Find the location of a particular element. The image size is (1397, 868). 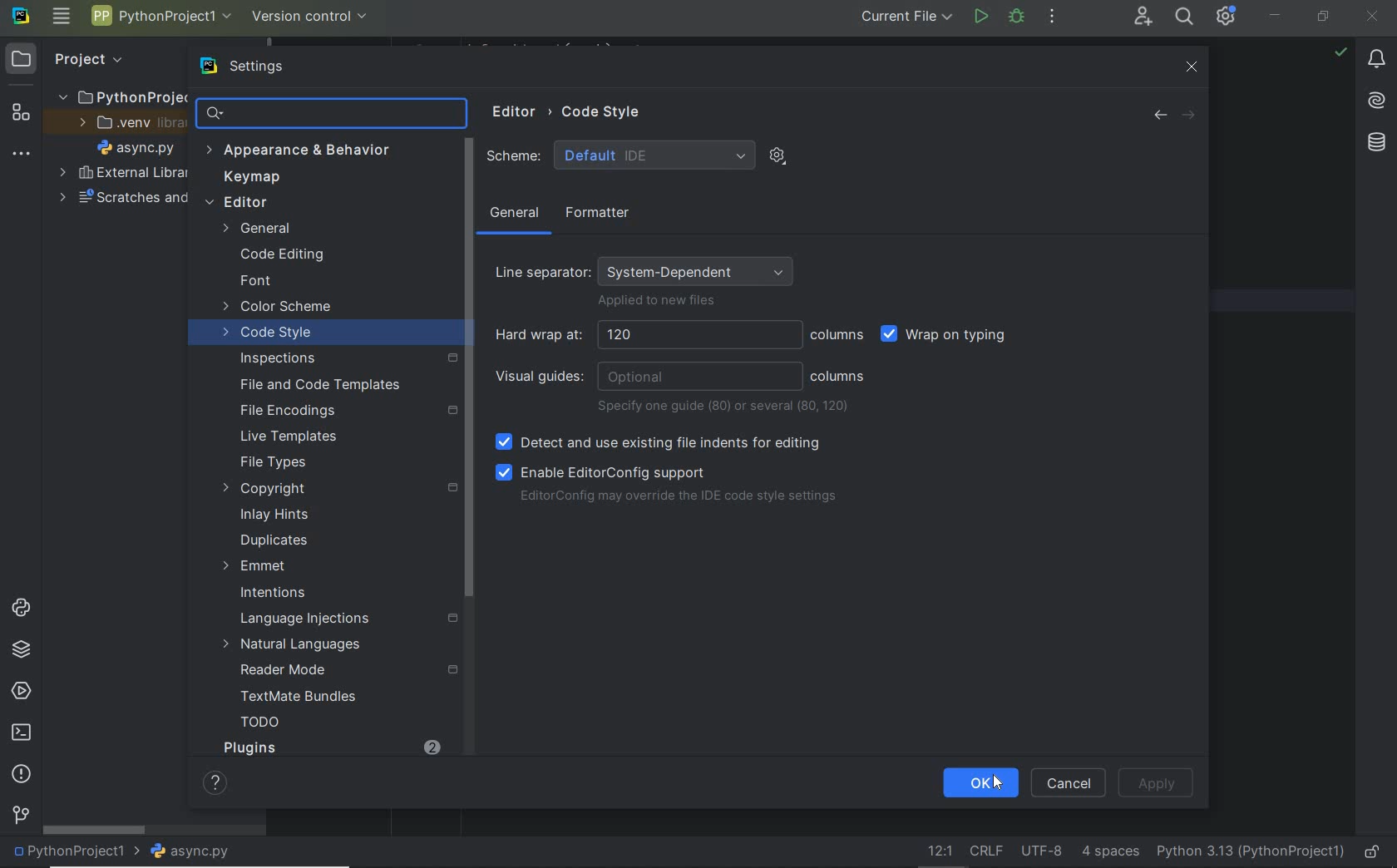

Code Style is located at coordinates (605, 111).